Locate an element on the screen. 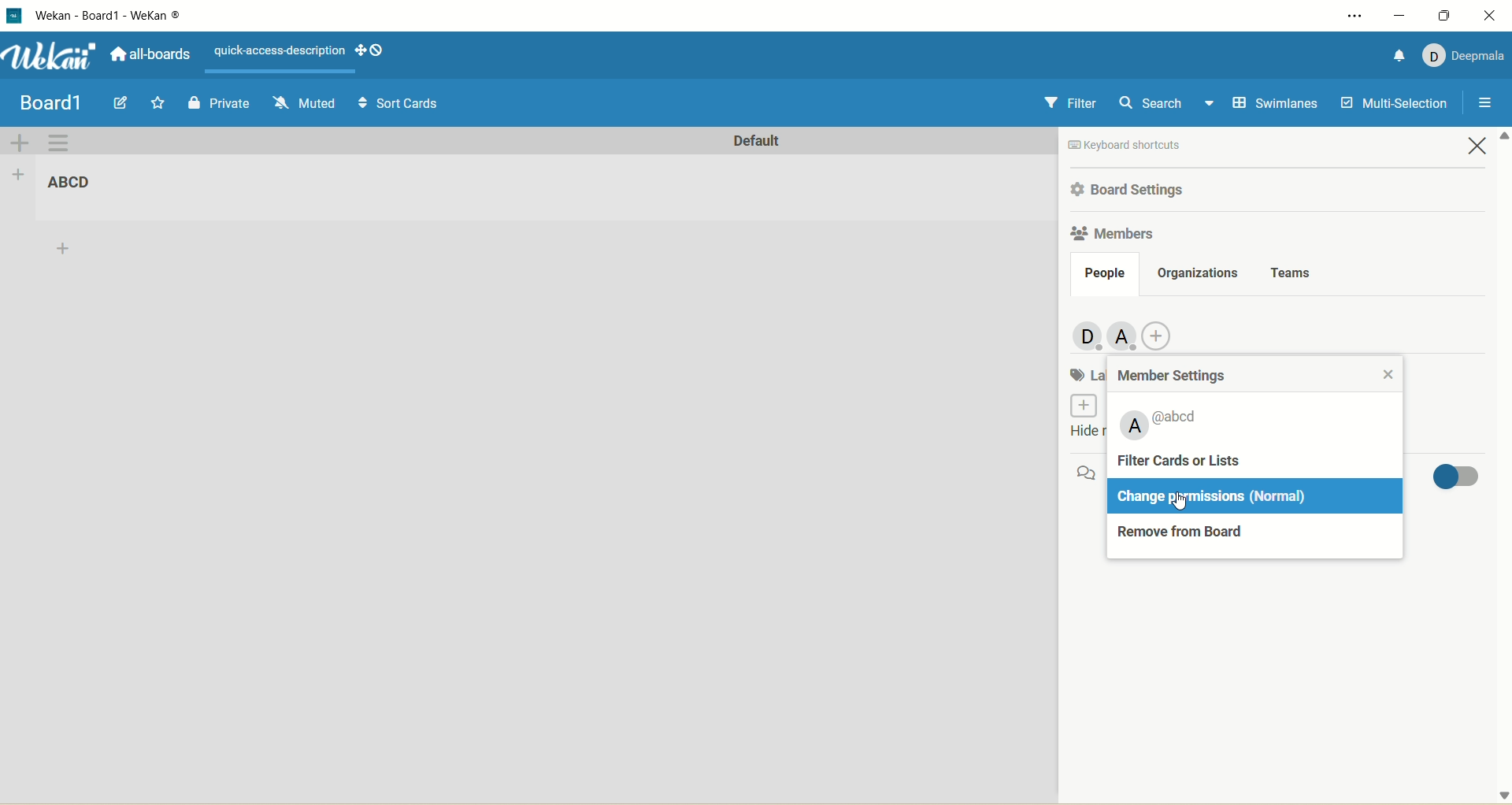 Image resolution: width=1512 pixels, height=805 pixels. Muted is located at coordinates (303, 101).